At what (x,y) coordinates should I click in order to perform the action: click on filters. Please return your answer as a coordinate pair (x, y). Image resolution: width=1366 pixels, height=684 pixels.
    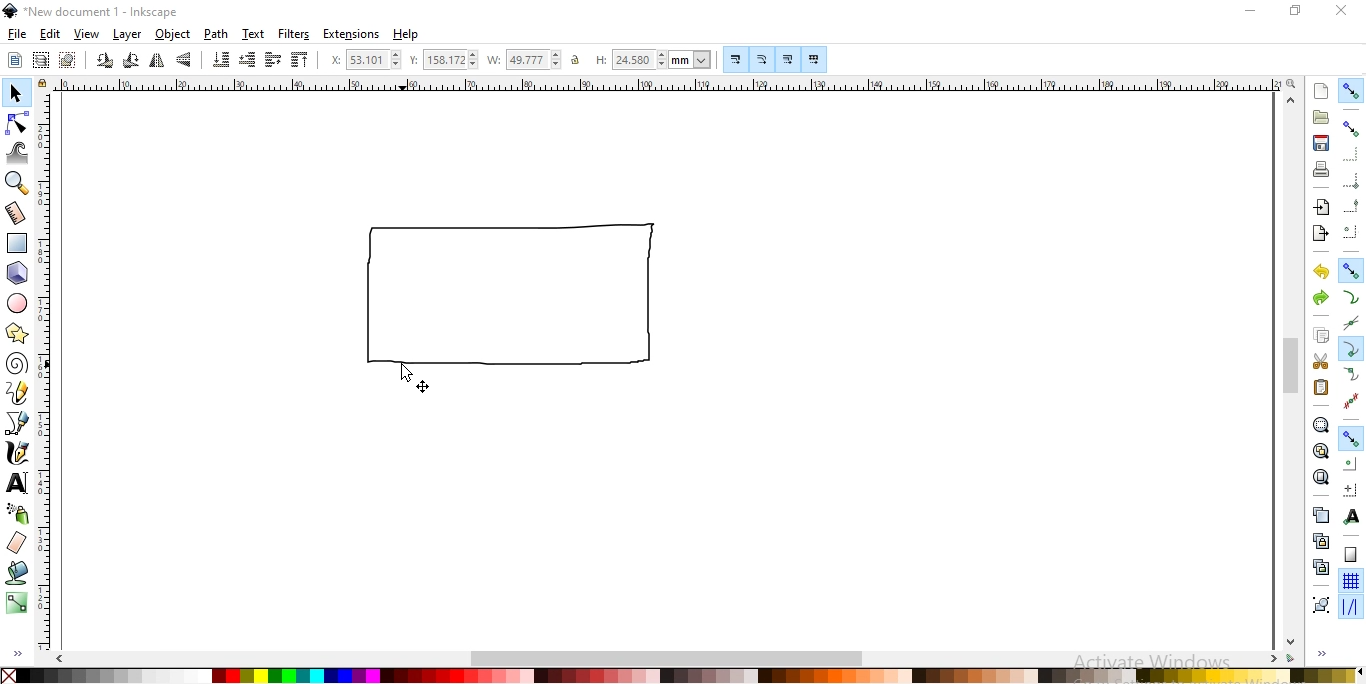
    Looking at the image, I should click on (294, 34).